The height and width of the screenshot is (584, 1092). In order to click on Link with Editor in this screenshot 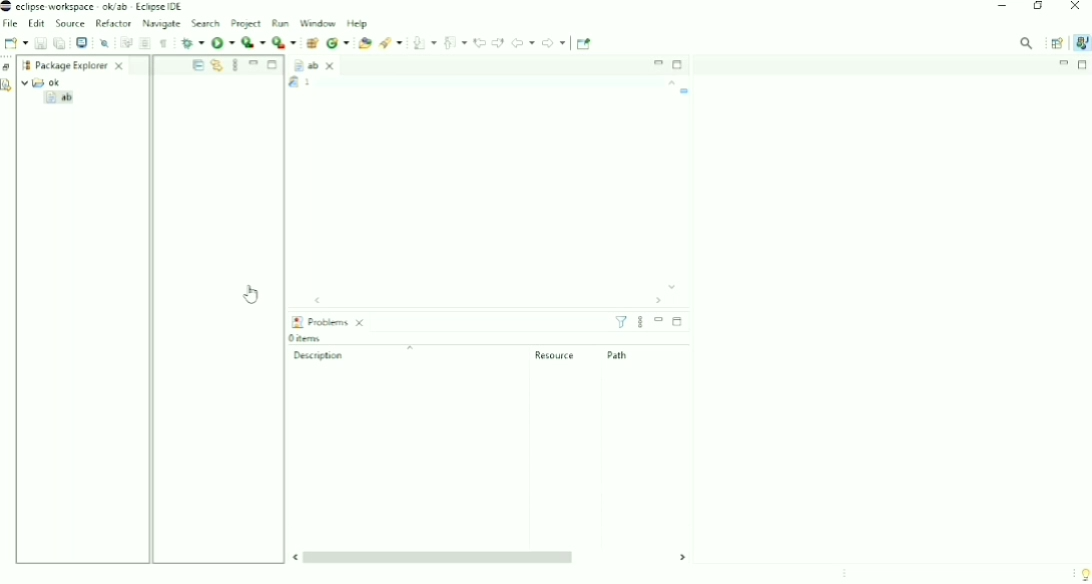, I will do `click(216, 65)`.